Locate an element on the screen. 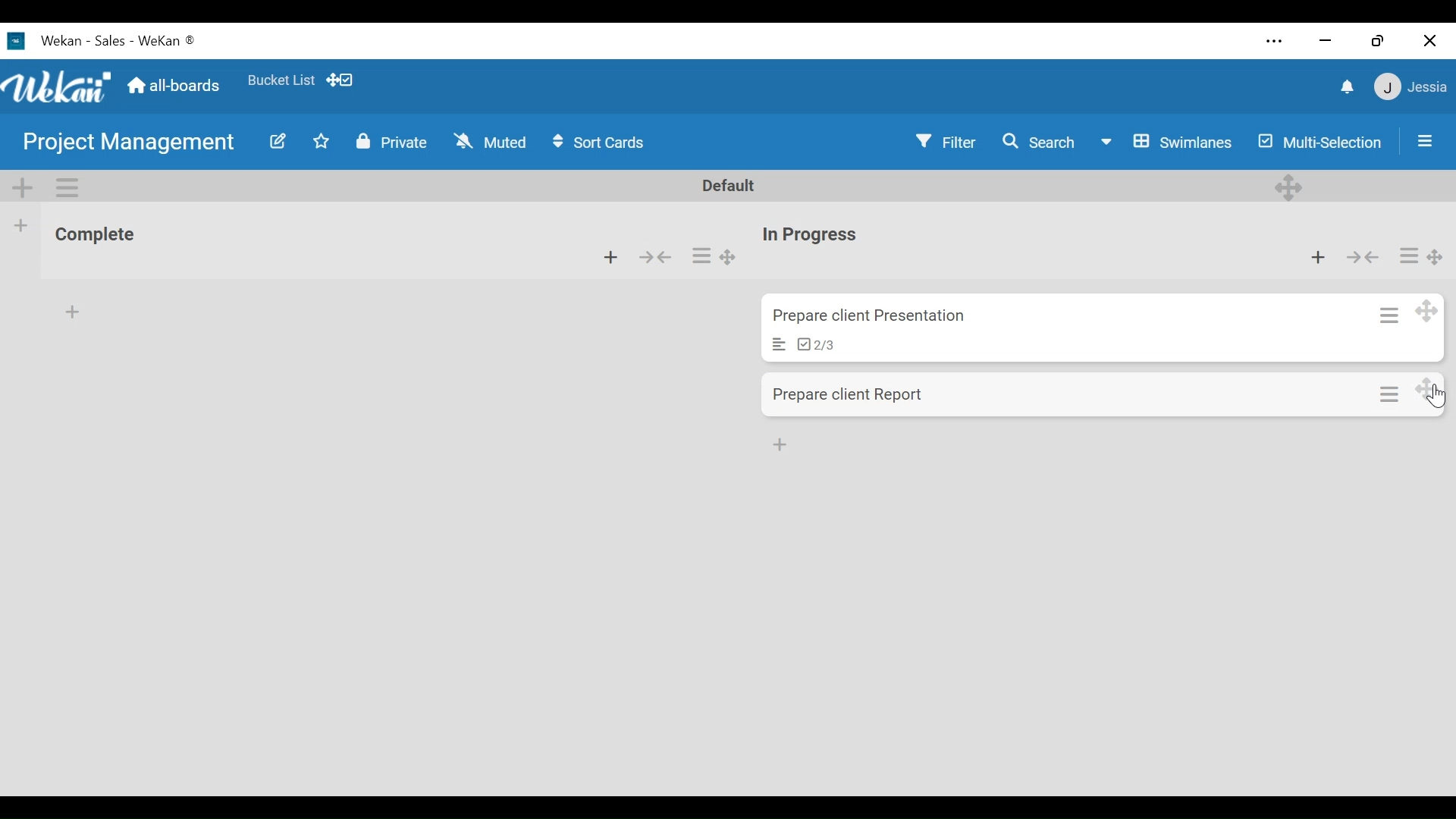 The height and width of the screenshot is (819, 1456). Add Swimlane is located at coordinates (26, 186).